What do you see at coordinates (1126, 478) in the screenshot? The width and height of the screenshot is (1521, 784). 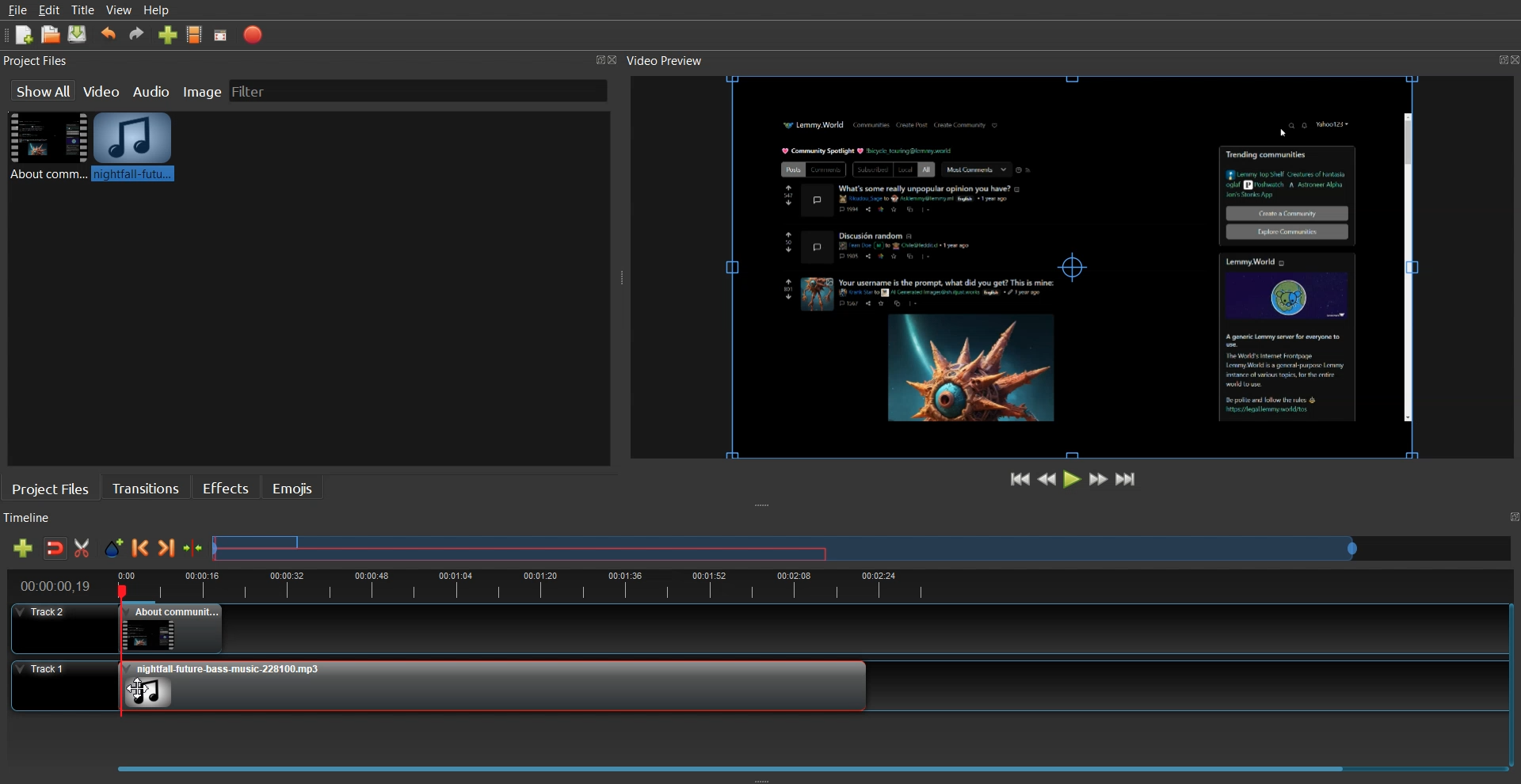 I see `Jump to End` at bounding box center [1126, 478].